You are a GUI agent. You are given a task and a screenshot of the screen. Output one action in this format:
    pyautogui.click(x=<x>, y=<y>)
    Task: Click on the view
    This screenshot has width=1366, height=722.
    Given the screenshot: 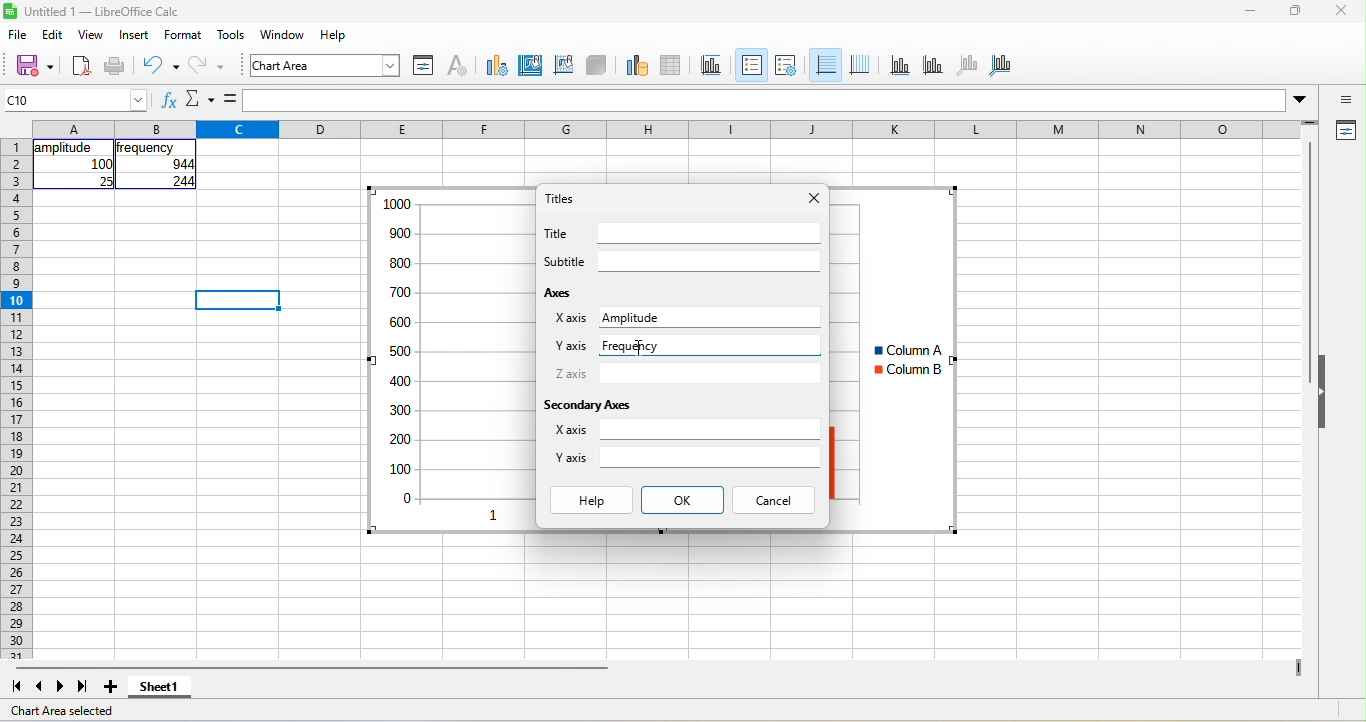 What is the action you would take?
    pyautogui.click(x=92, y=34)
    